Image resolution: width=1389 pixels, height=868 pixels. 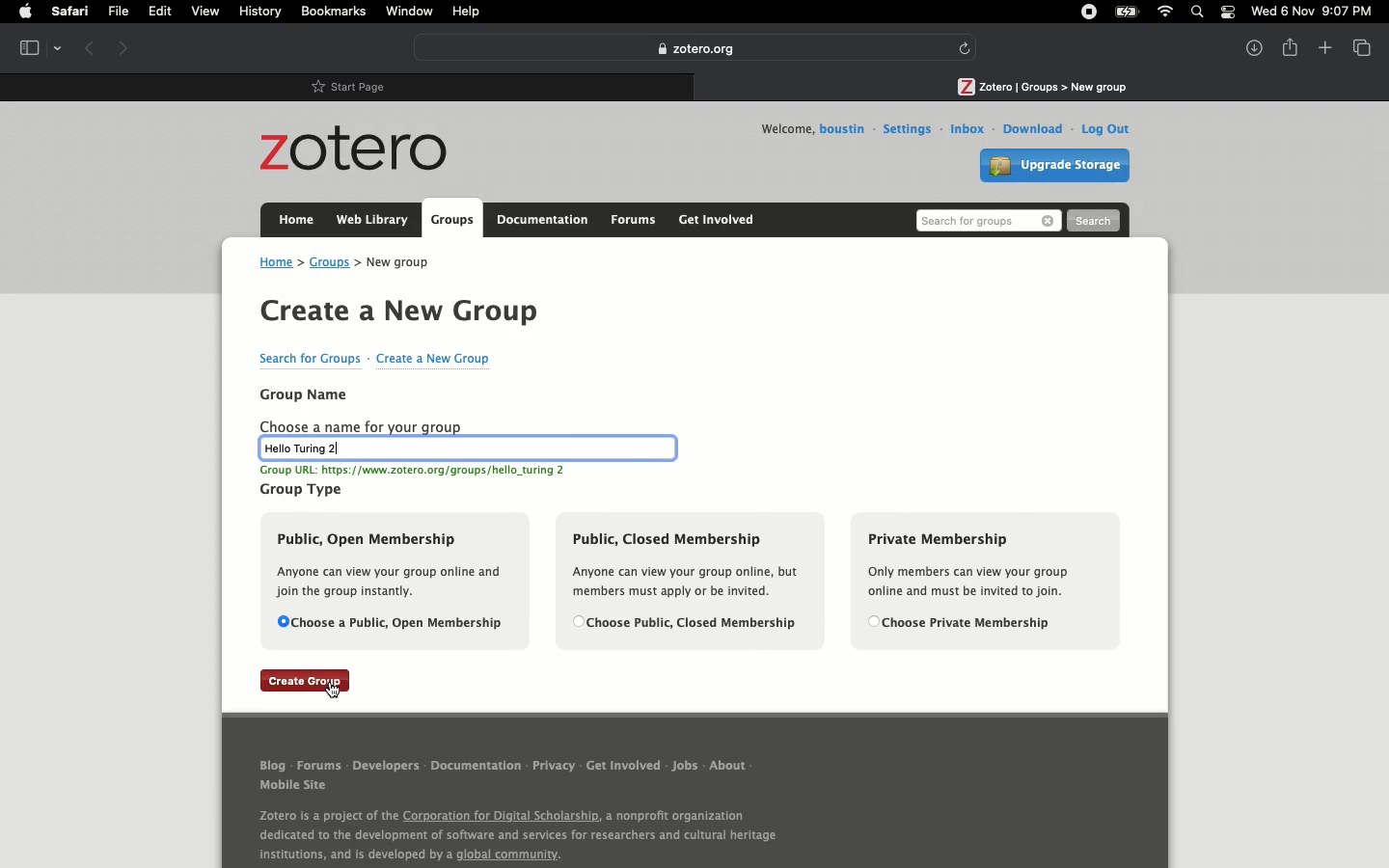 What do you see at coordinates (477, 767) in the screenshot?
I see `Documentation` at bounding box center [477, 767].